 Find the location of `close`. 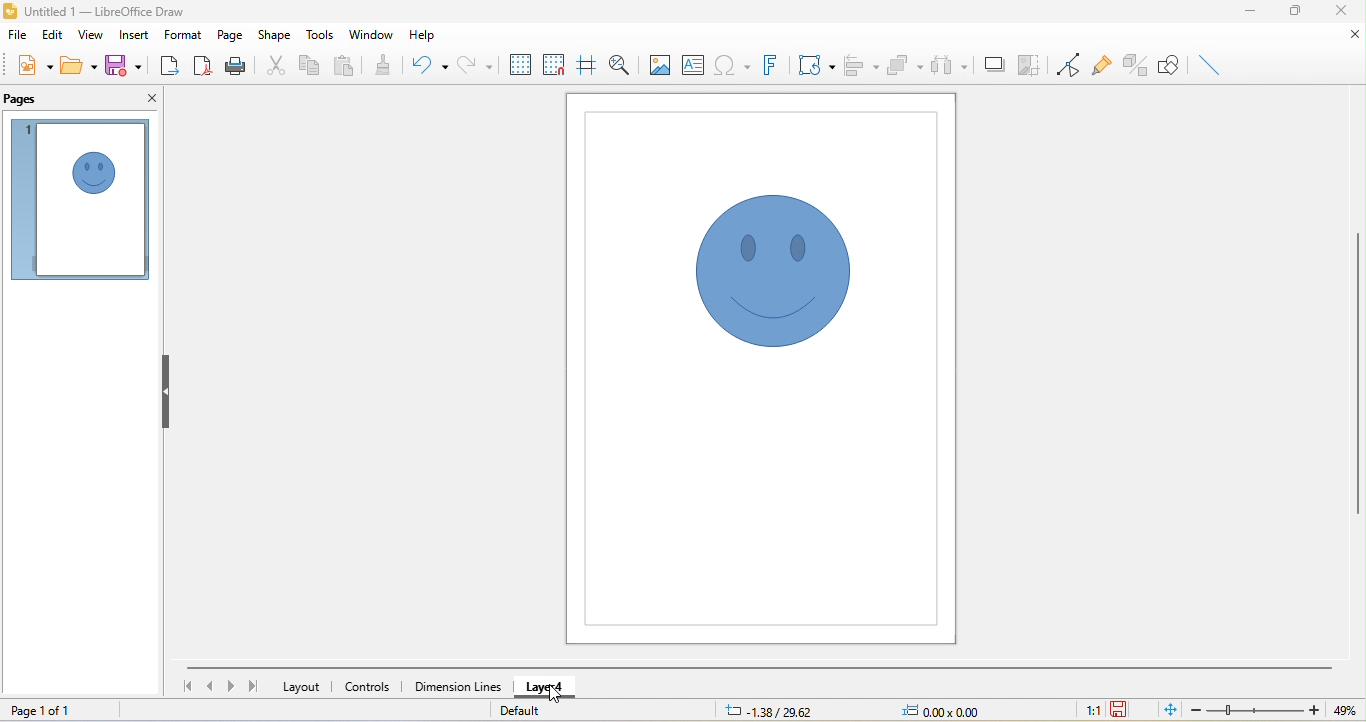

close is located at coordinates (149, 101).